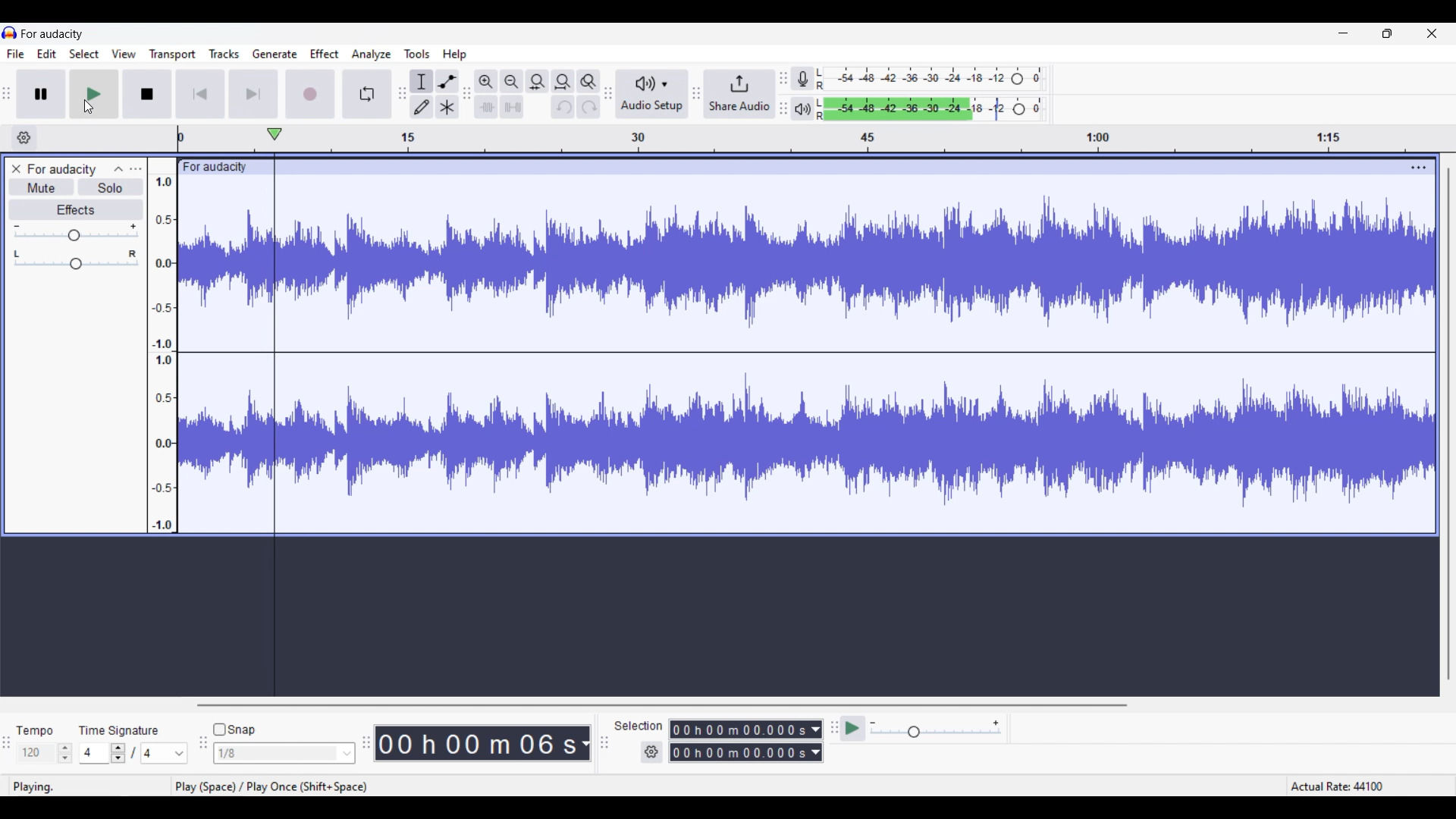 Image resolution: width=1456 pixels, height=819 pixels. Describe the element at coordinates (366, 94) in the screenshot. I see `Enable looping` at that location.